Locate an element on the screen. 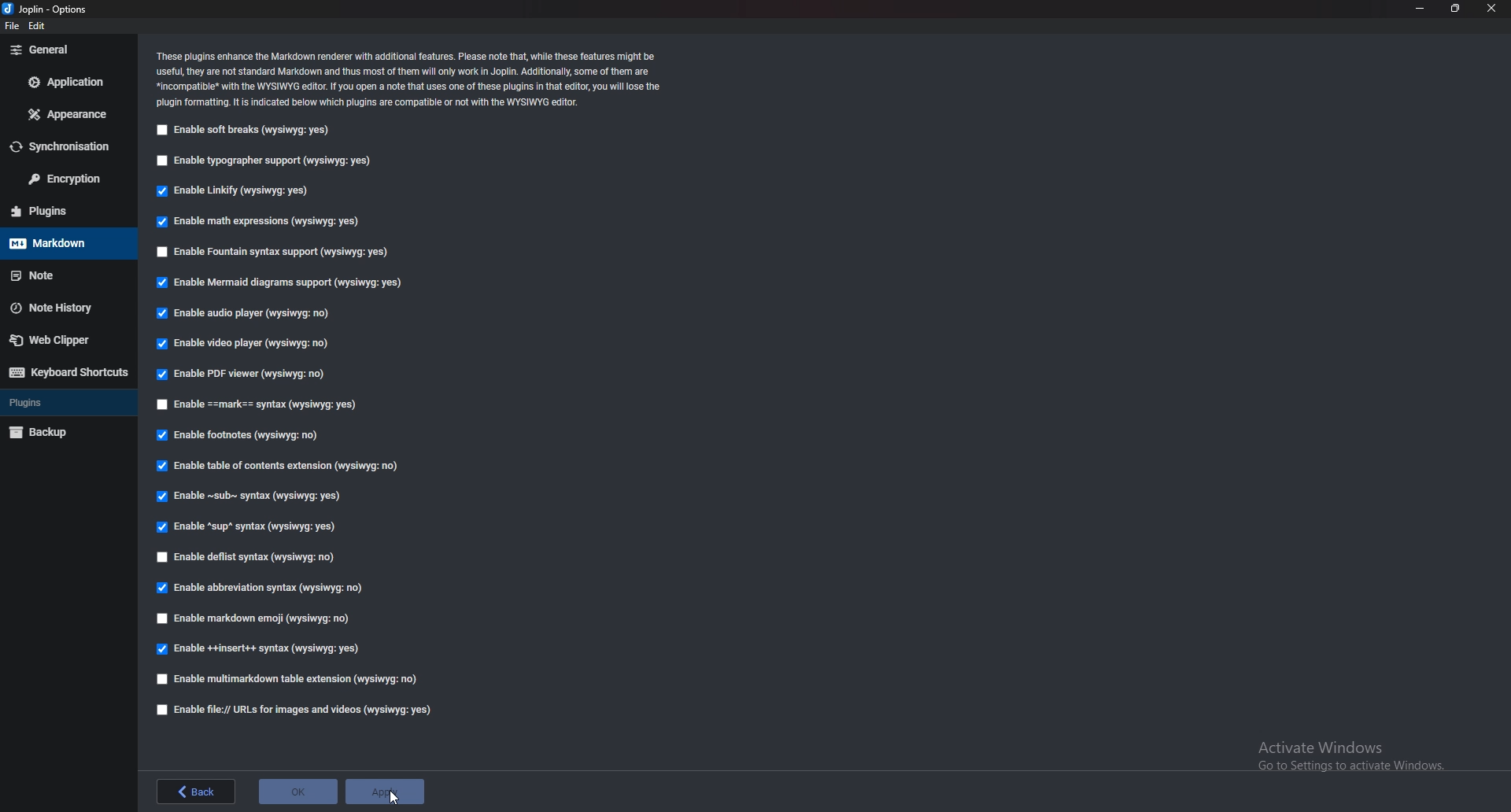 The width and height of the screenshot is (1511, 812). Enable math expressions is located at coordinates (256, 222).